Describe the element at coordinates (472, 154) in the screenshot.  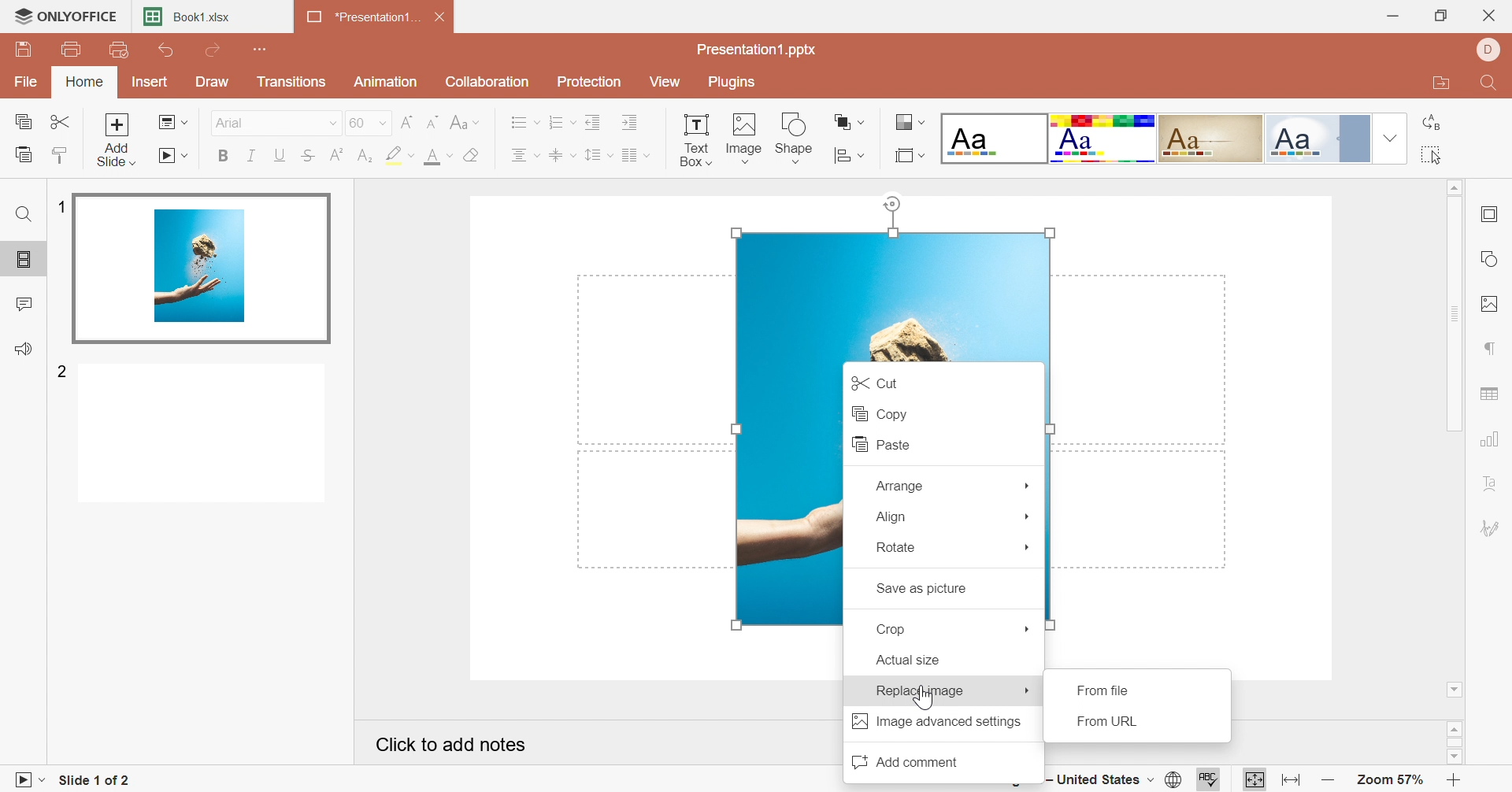
I see `Clear style` at that location.